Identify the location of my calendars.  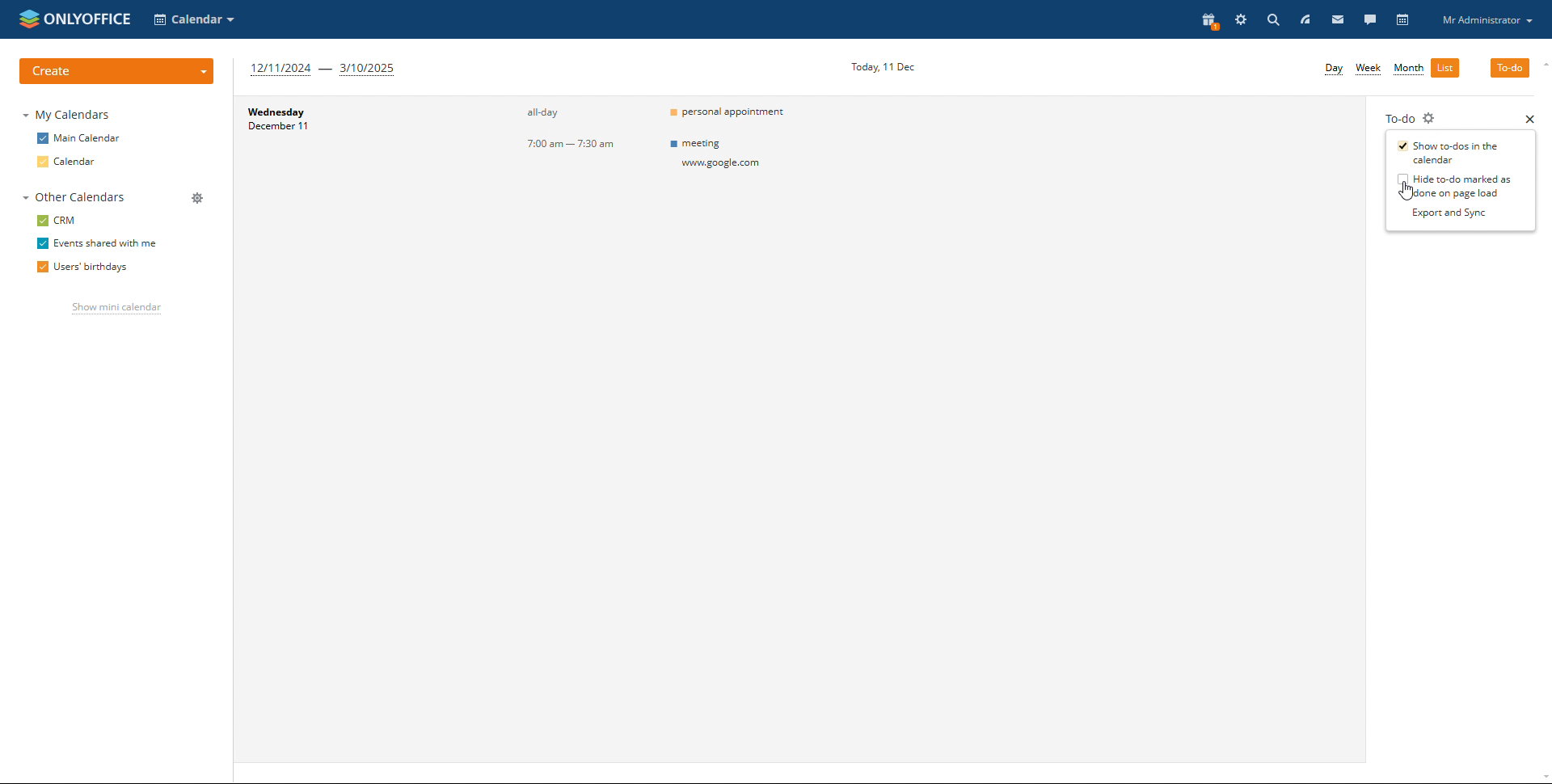
(69, 114).